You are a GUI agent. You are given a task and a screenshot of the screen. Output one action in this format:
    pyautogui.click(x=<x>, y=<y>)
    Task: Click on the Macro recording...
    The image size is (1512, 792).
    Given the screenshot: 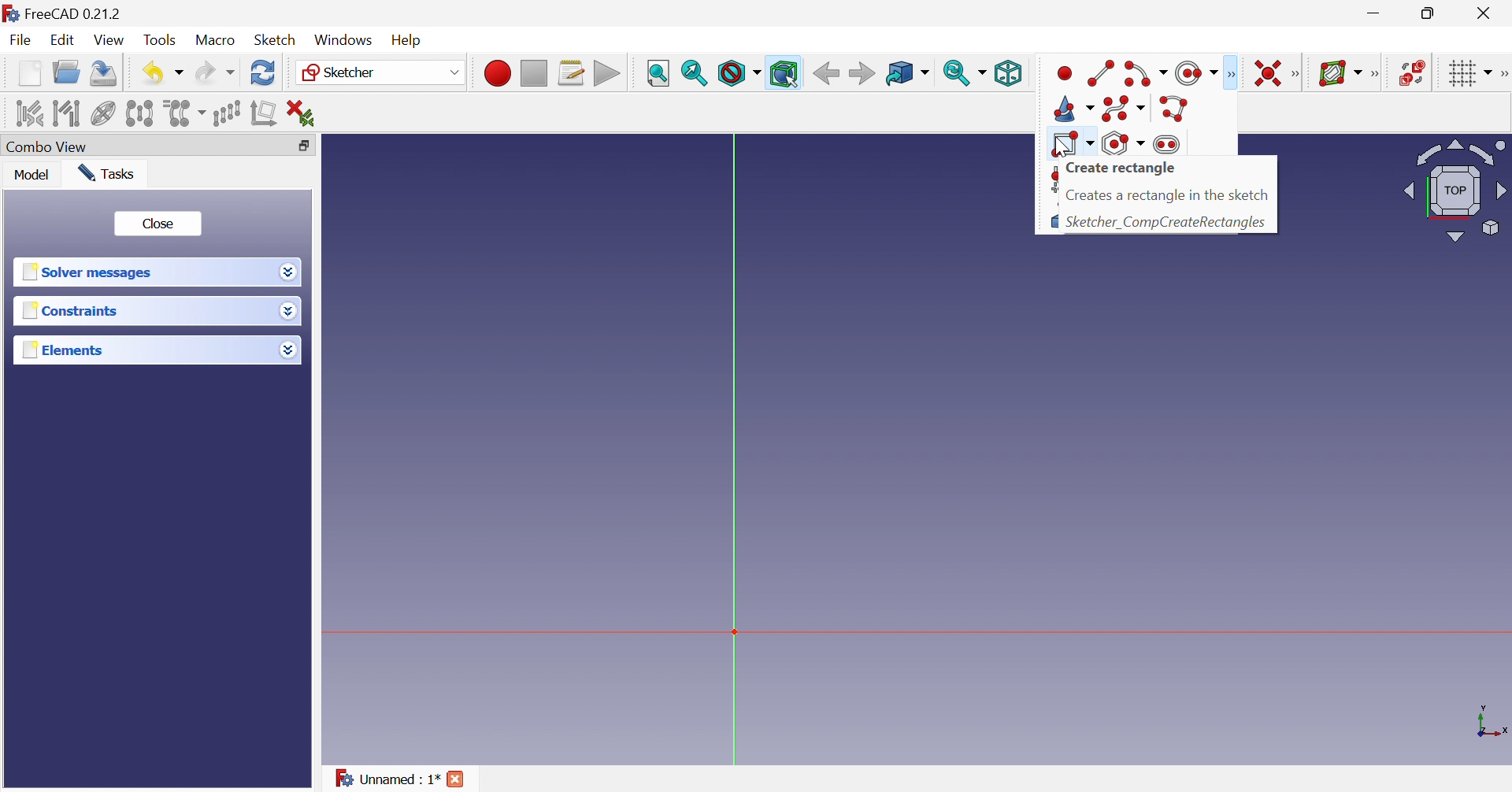 What is the action you would take?
    pyautogui.click(x=498, y=74)
    